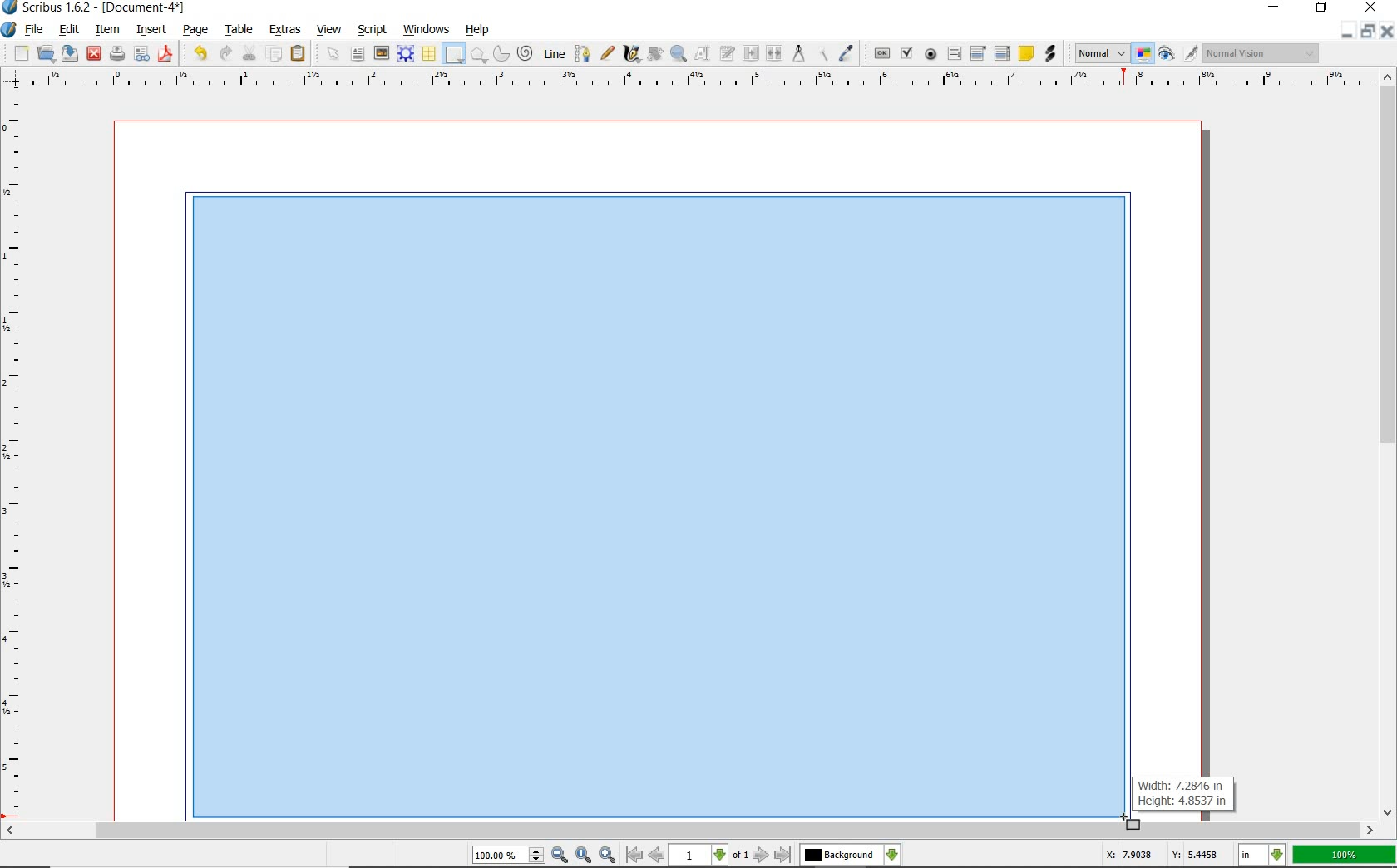 The width and height of the screenshot is (1397, 868). I want to click on select, so click(332, 52).